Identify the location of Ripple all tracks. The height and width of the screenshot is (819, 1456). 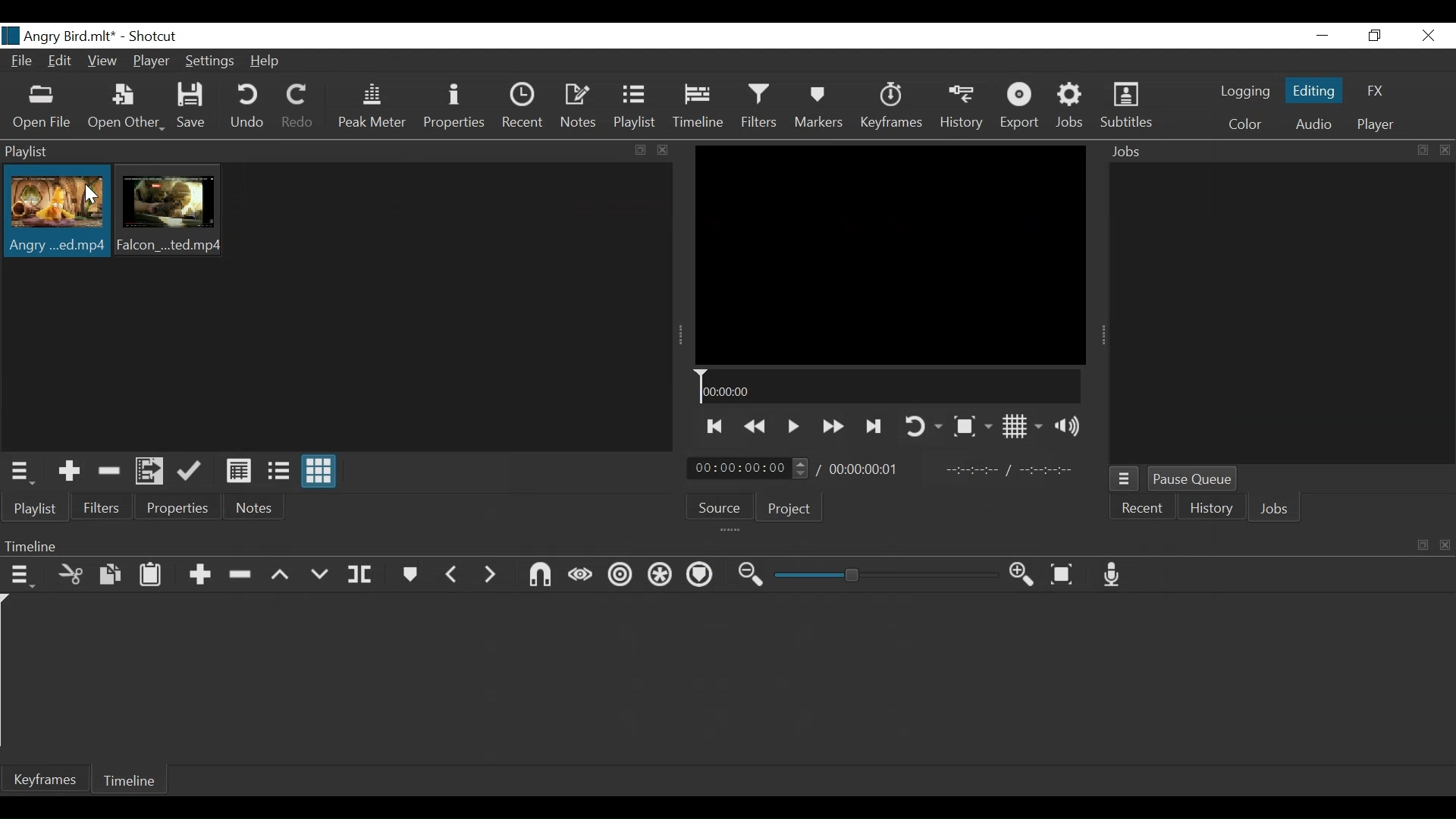
(661, 577).